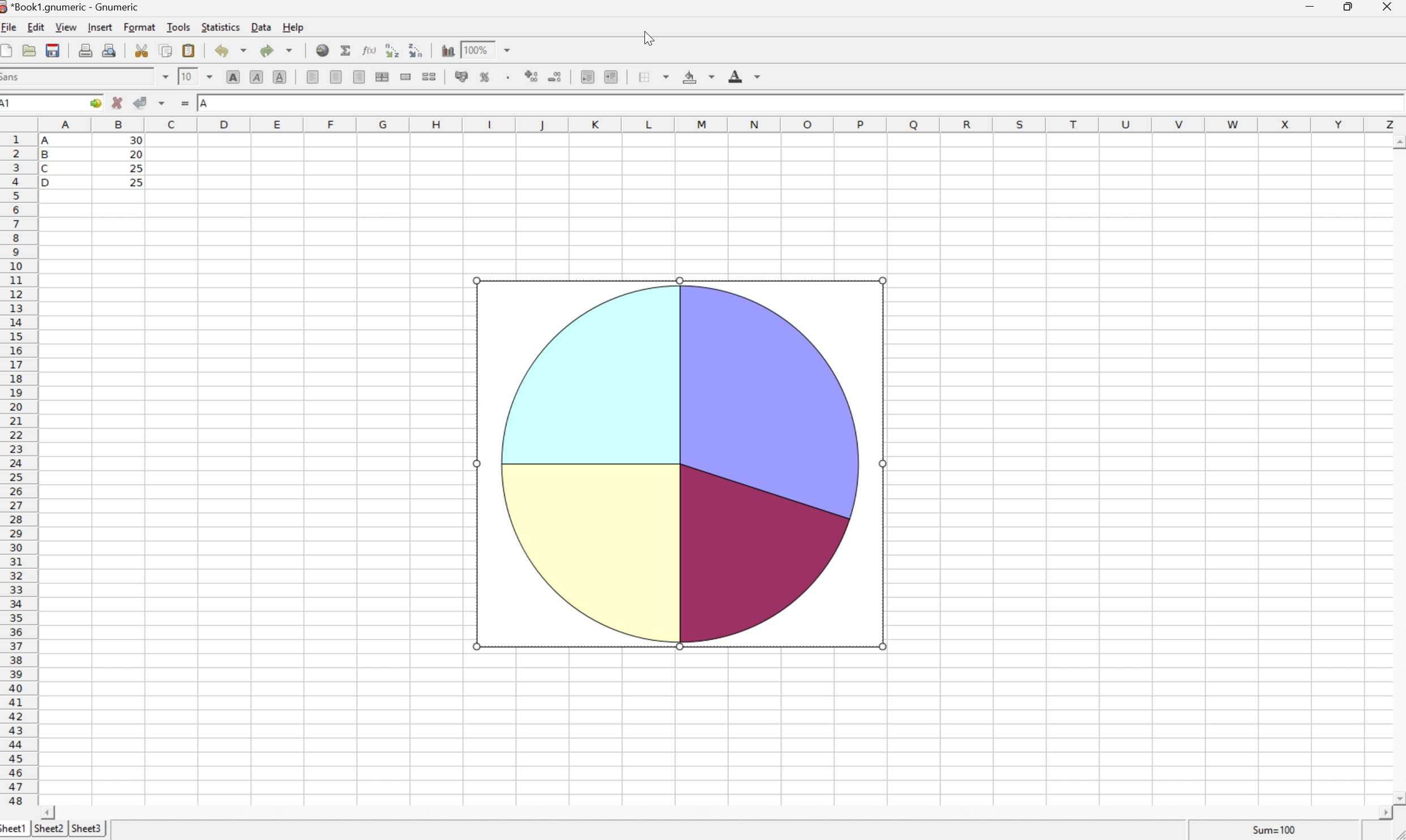 The image size is (1406, 840). I want to click on Sheet1, so click(14, 830).